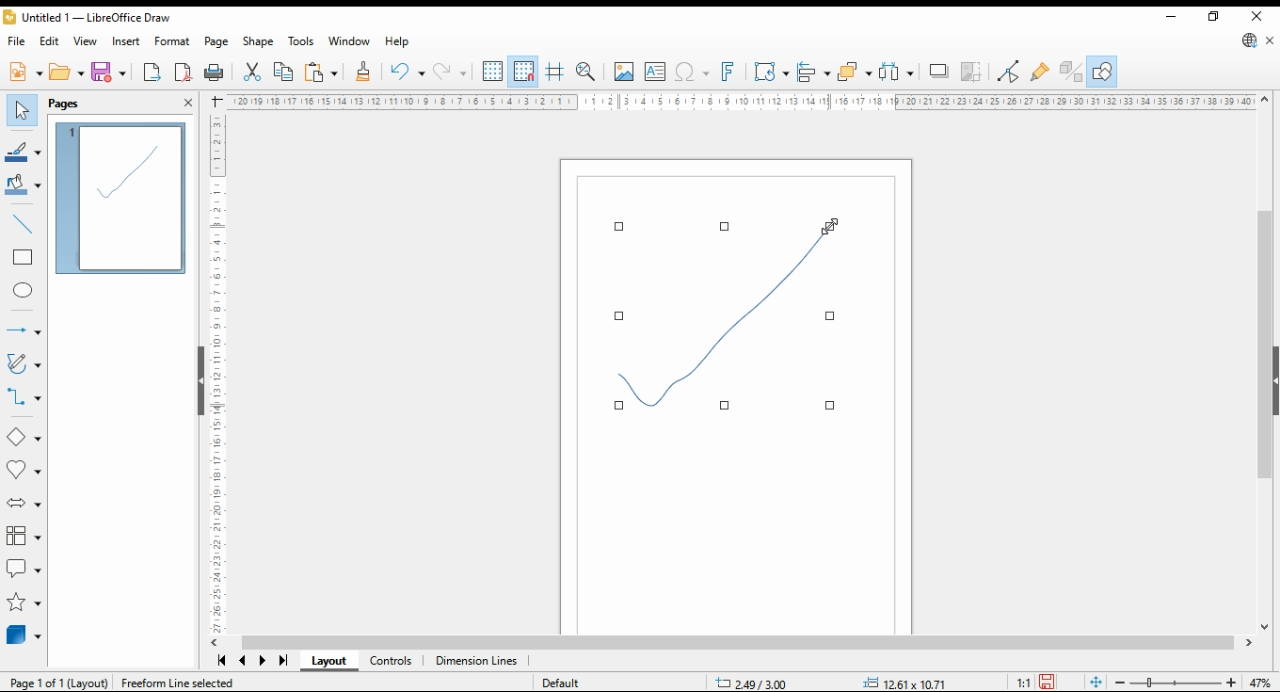 This screenshot has width=1280, height=692. I want to click on help, so click(397, 43).